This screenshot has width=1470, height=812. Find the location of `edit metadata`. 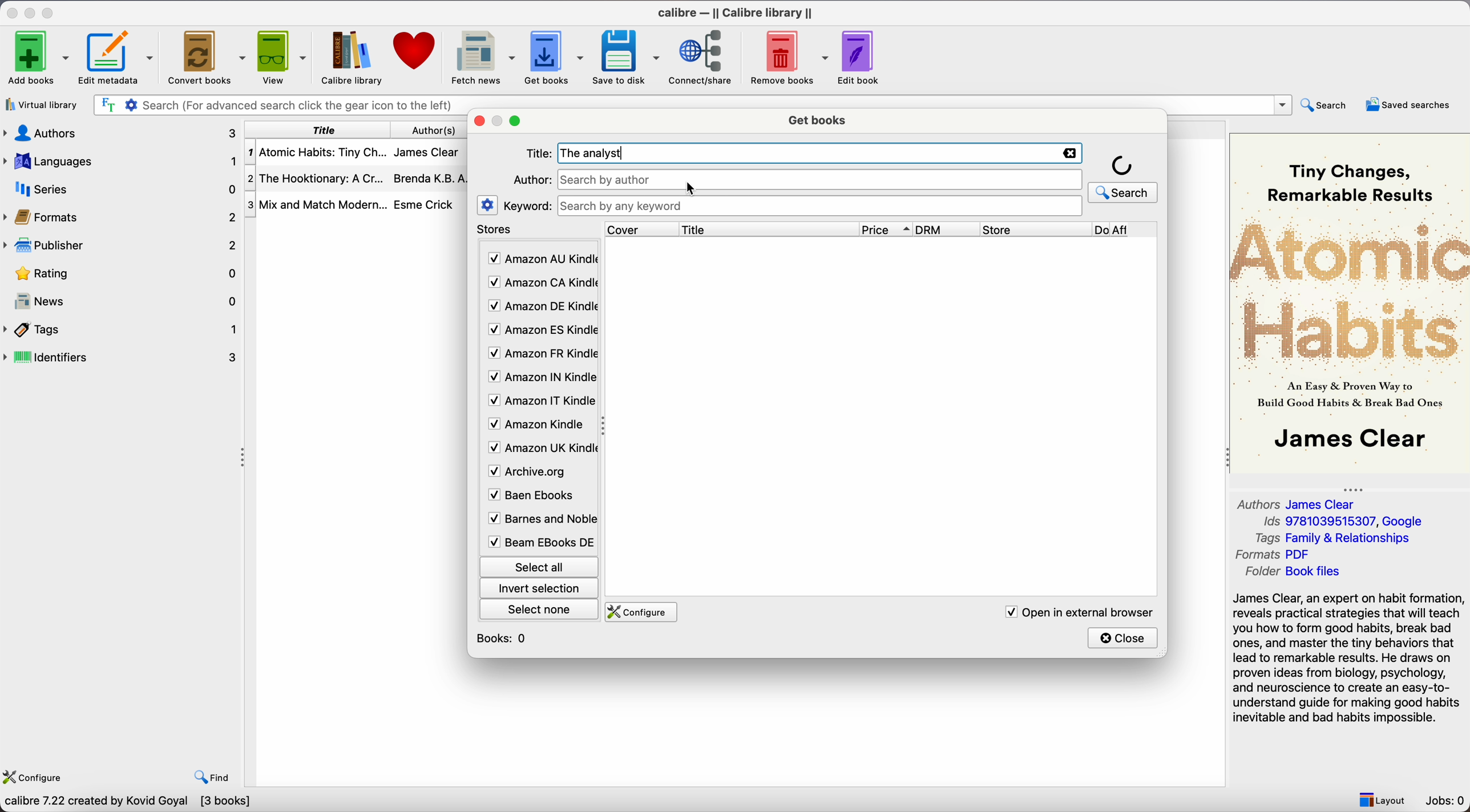

edit metadata is located at coordinates (118, 59).